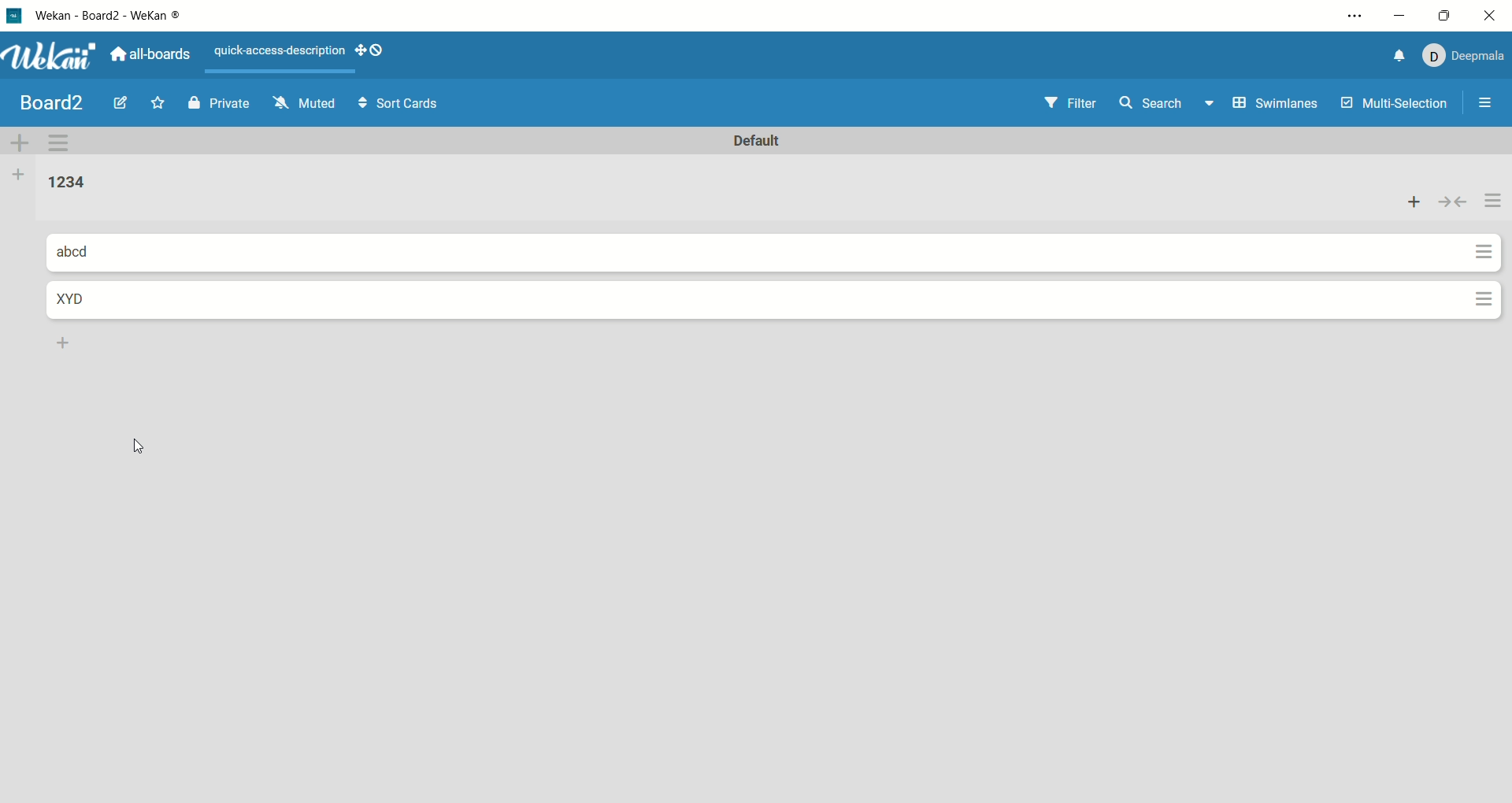 This screenshot has height=803, width=1512. Describe the element at coordinates (1393, 56) in the screenshot. I see `notification` at that location.